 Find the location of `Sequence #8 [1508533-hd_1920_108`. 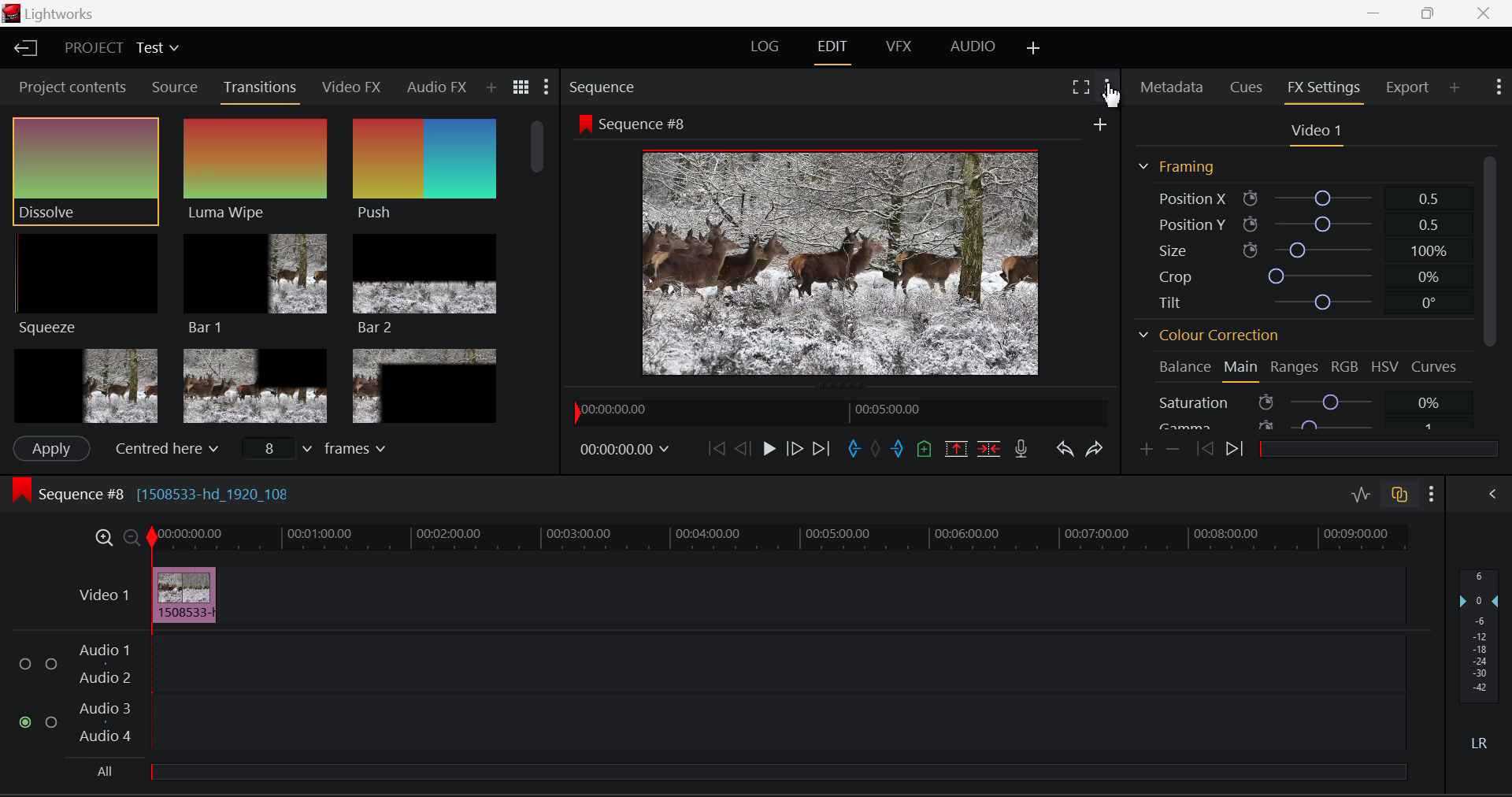

Sequence #8 [1508533-hd_1920_108 is located at coordinates (198, 493).